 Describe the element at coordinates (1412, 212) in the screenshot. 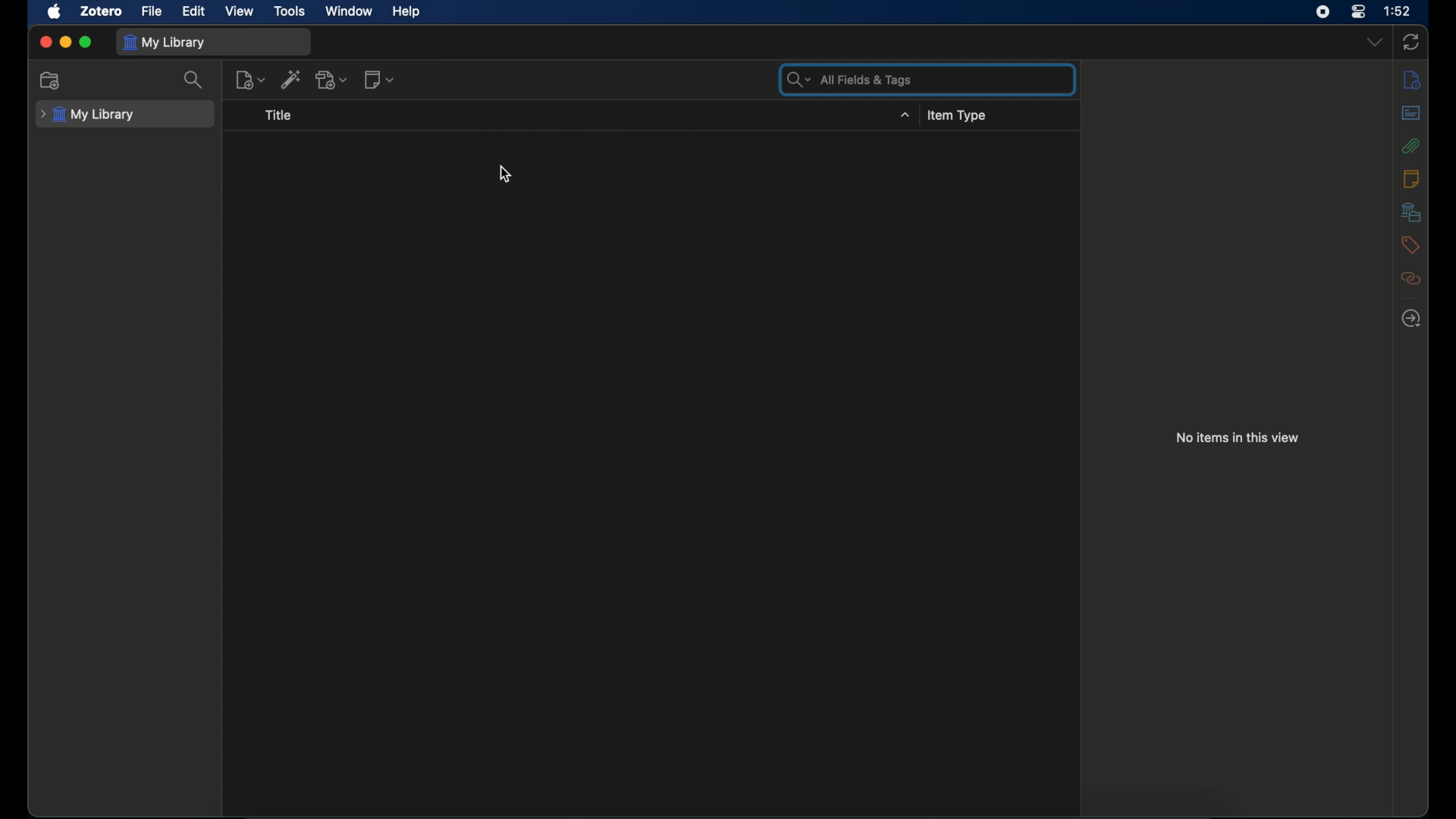

I see `libraries` at that location.